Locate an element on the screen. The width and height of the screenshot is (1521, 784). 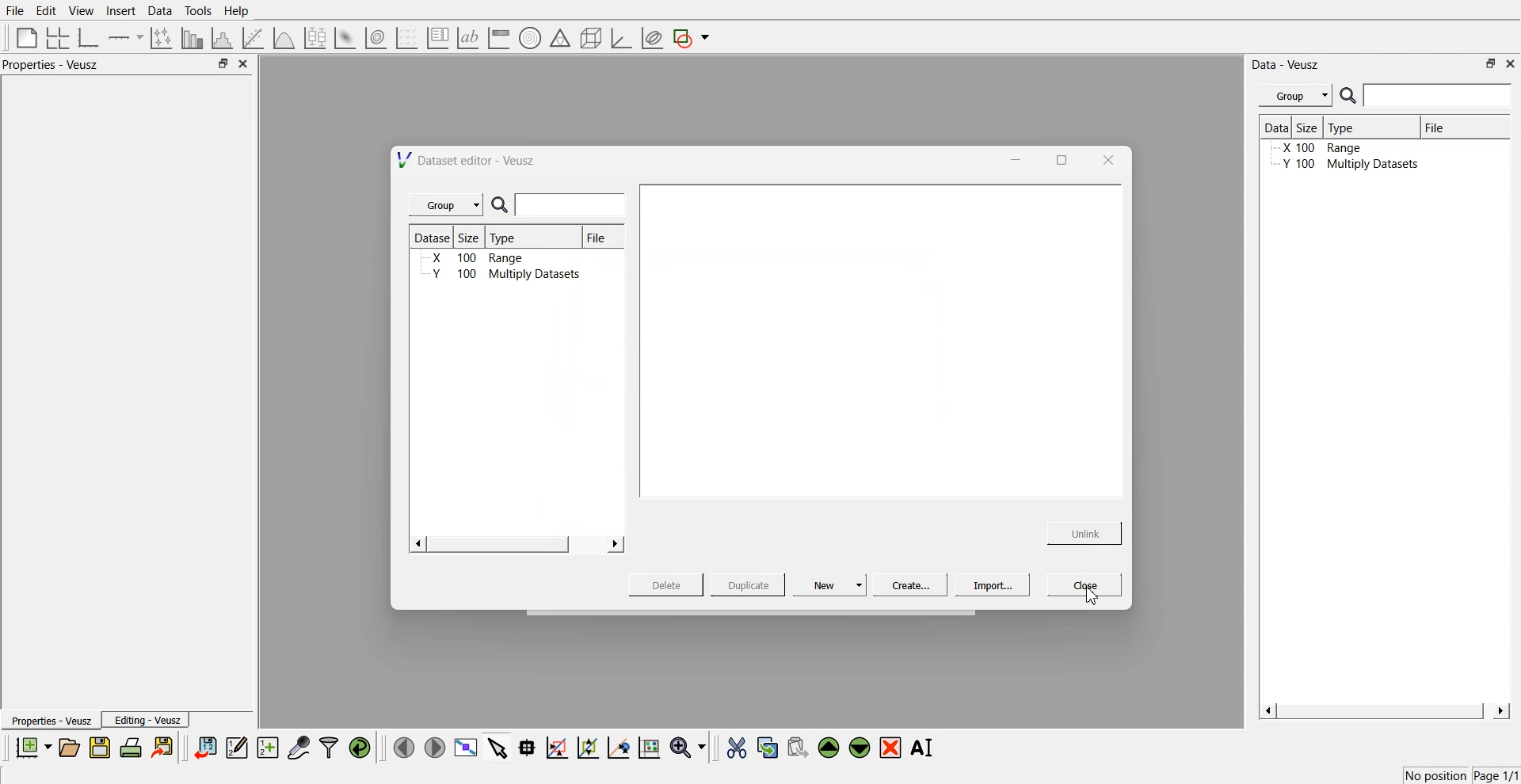
filters is located at coordinates (327, 748).